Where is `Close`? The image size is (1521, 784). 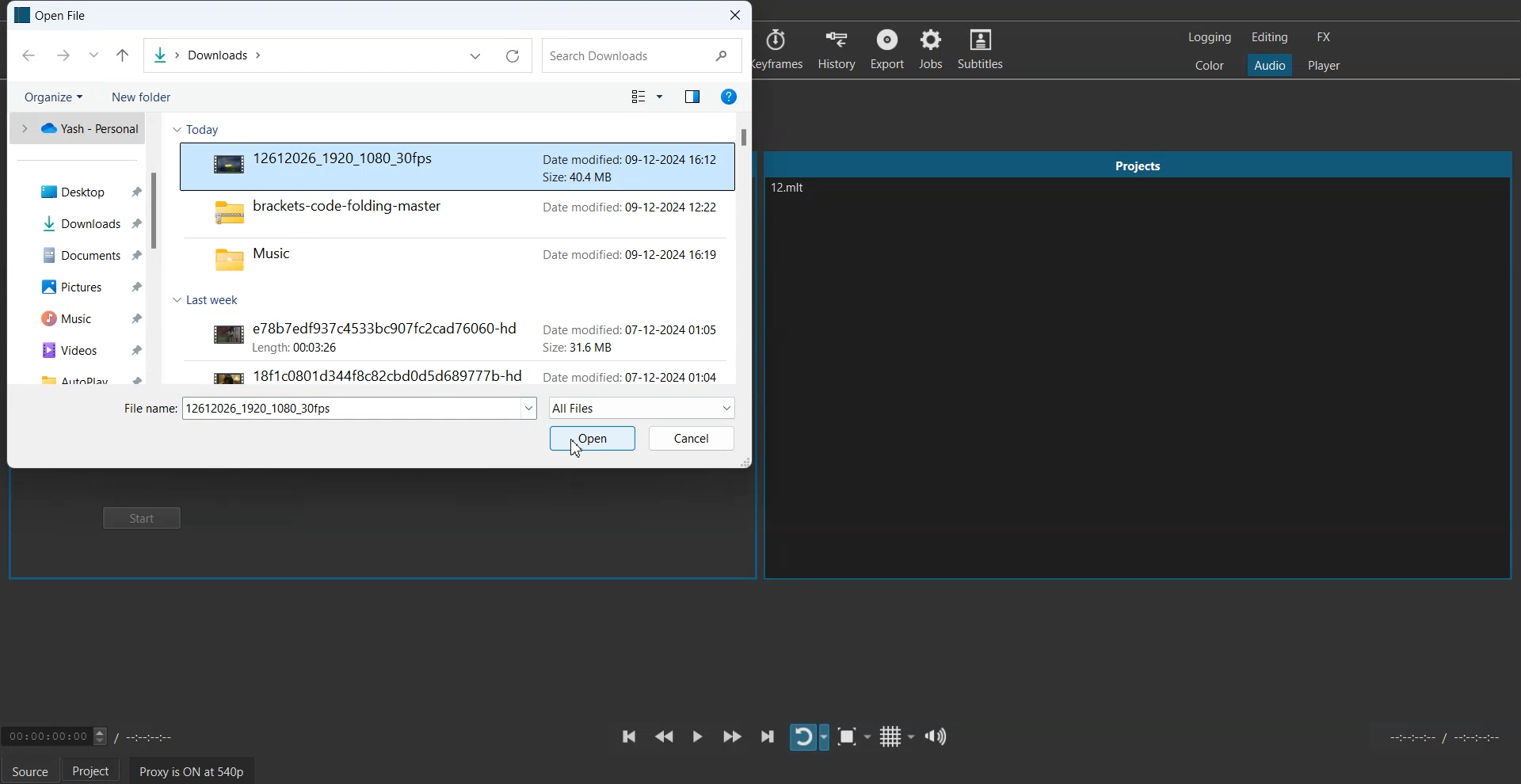
Close is located at coordinates (737, 16).